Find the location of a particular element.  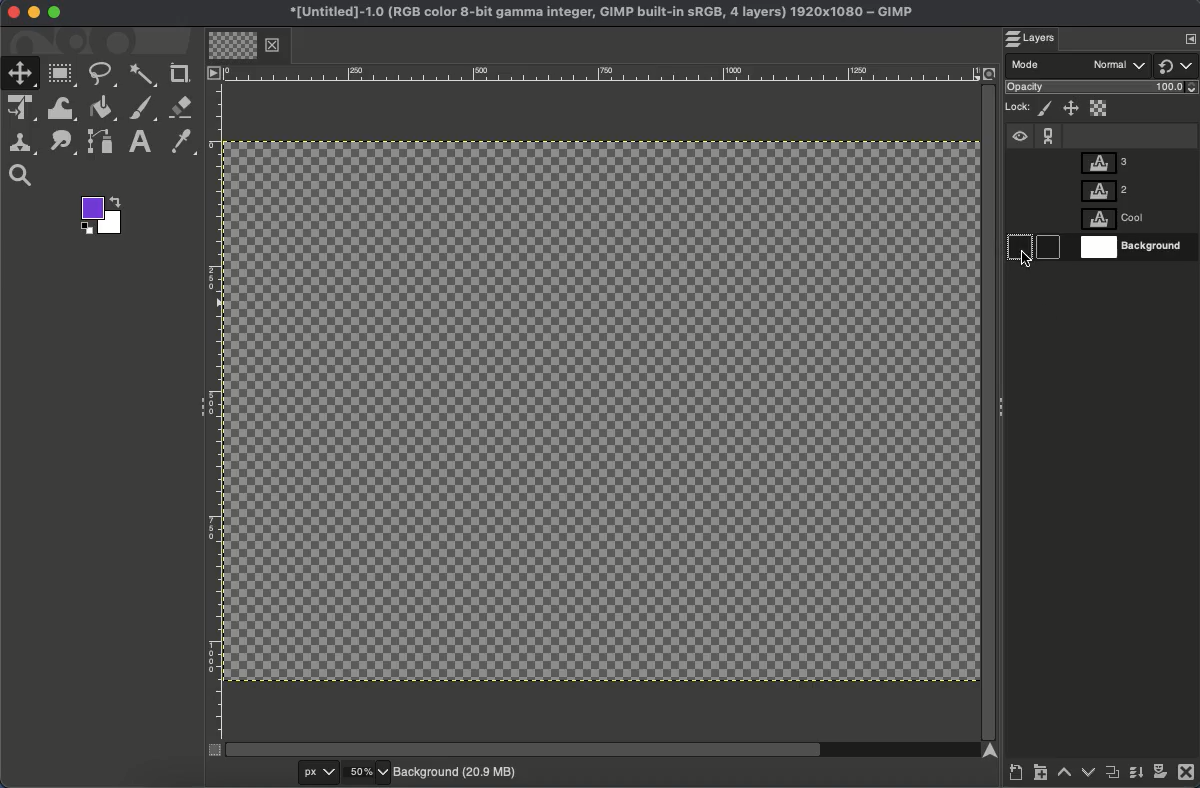

Chain is located at coordinates (1049, 131).